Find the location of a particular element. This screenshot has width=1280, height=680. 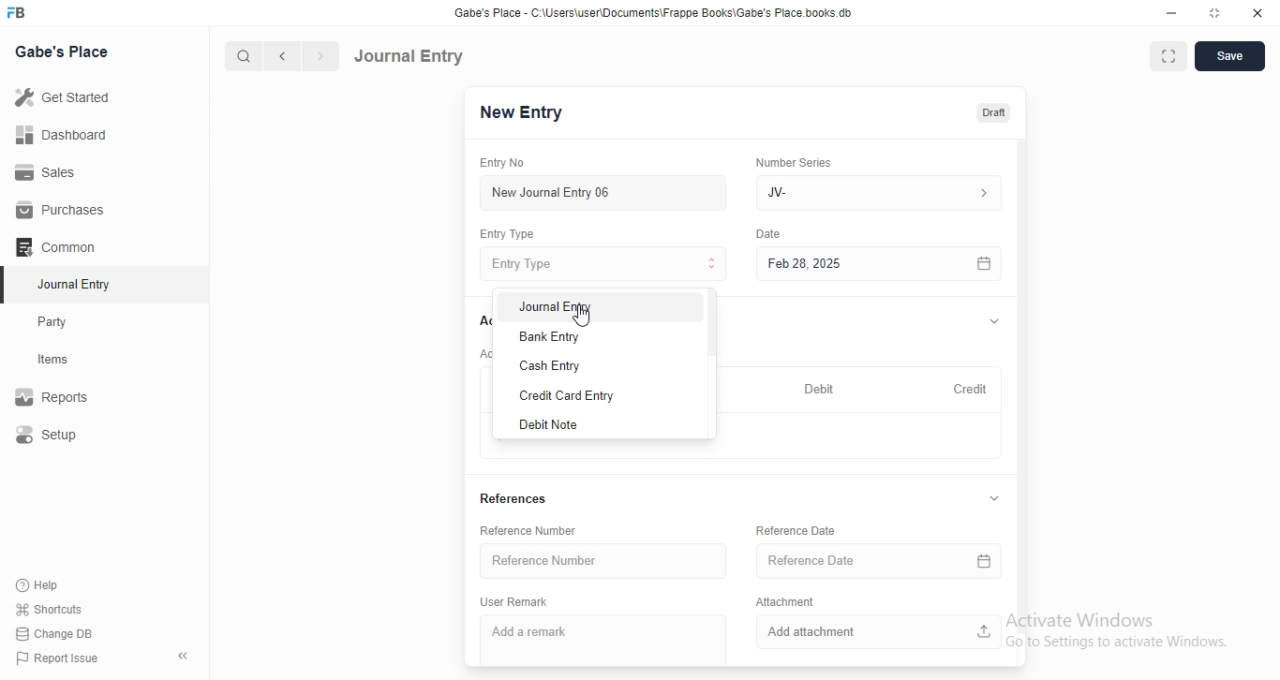

draft is located at coordinates (993, 114).